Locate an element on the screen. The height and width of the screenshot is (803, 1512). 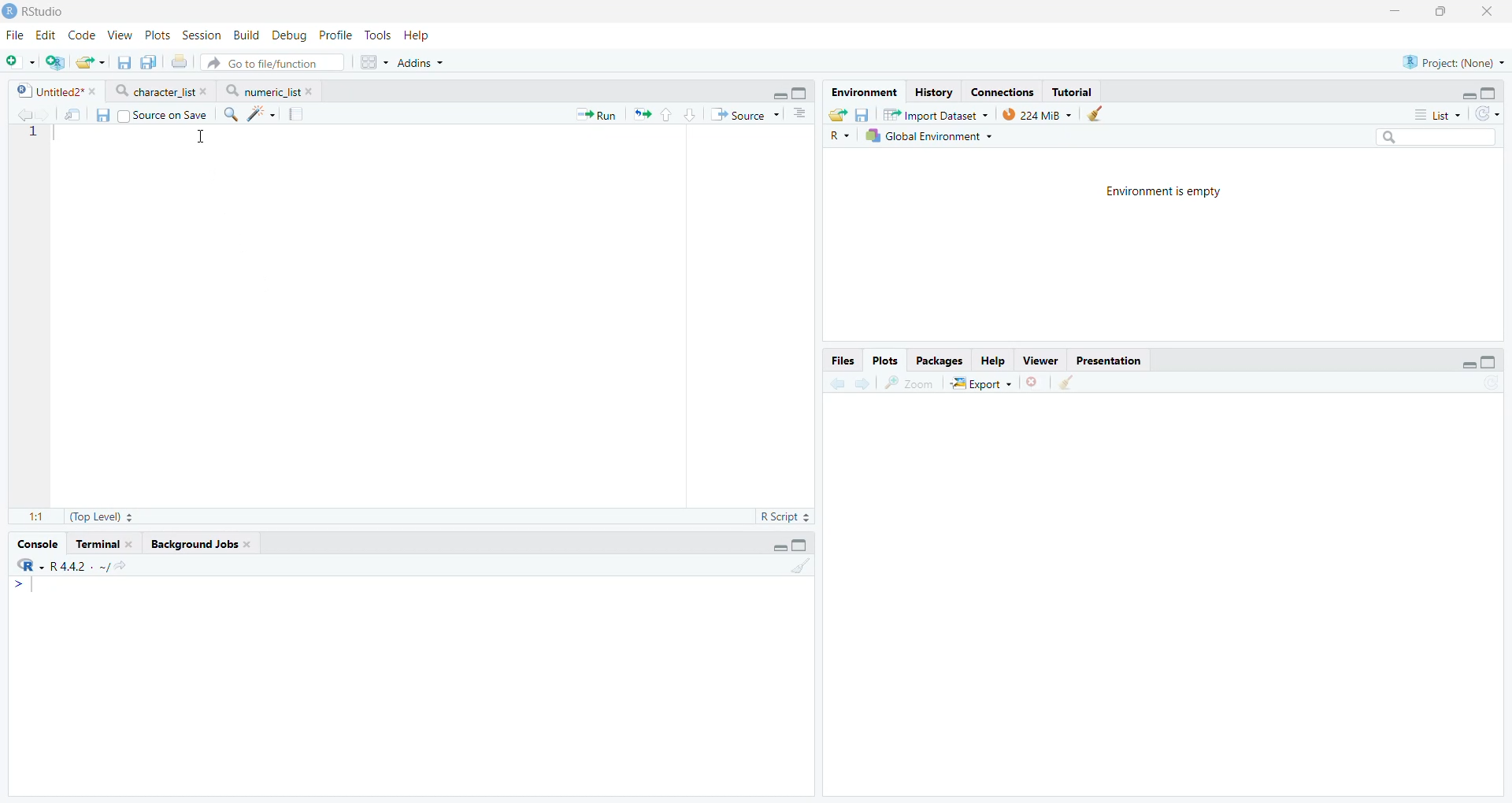
Plots is located at coordinates (161, 34).